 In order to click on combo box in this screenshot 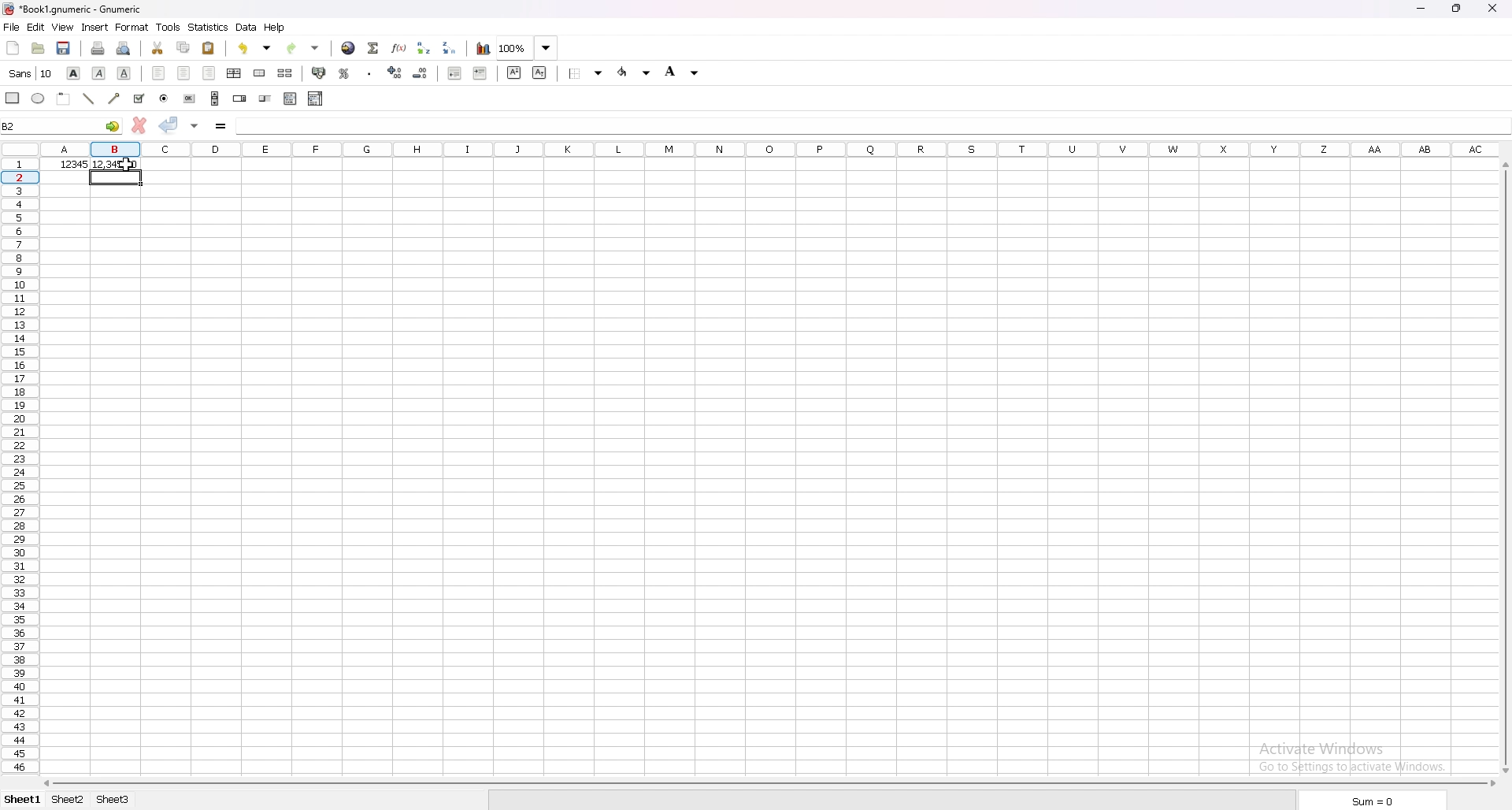, I will do `click(316, 98)`.